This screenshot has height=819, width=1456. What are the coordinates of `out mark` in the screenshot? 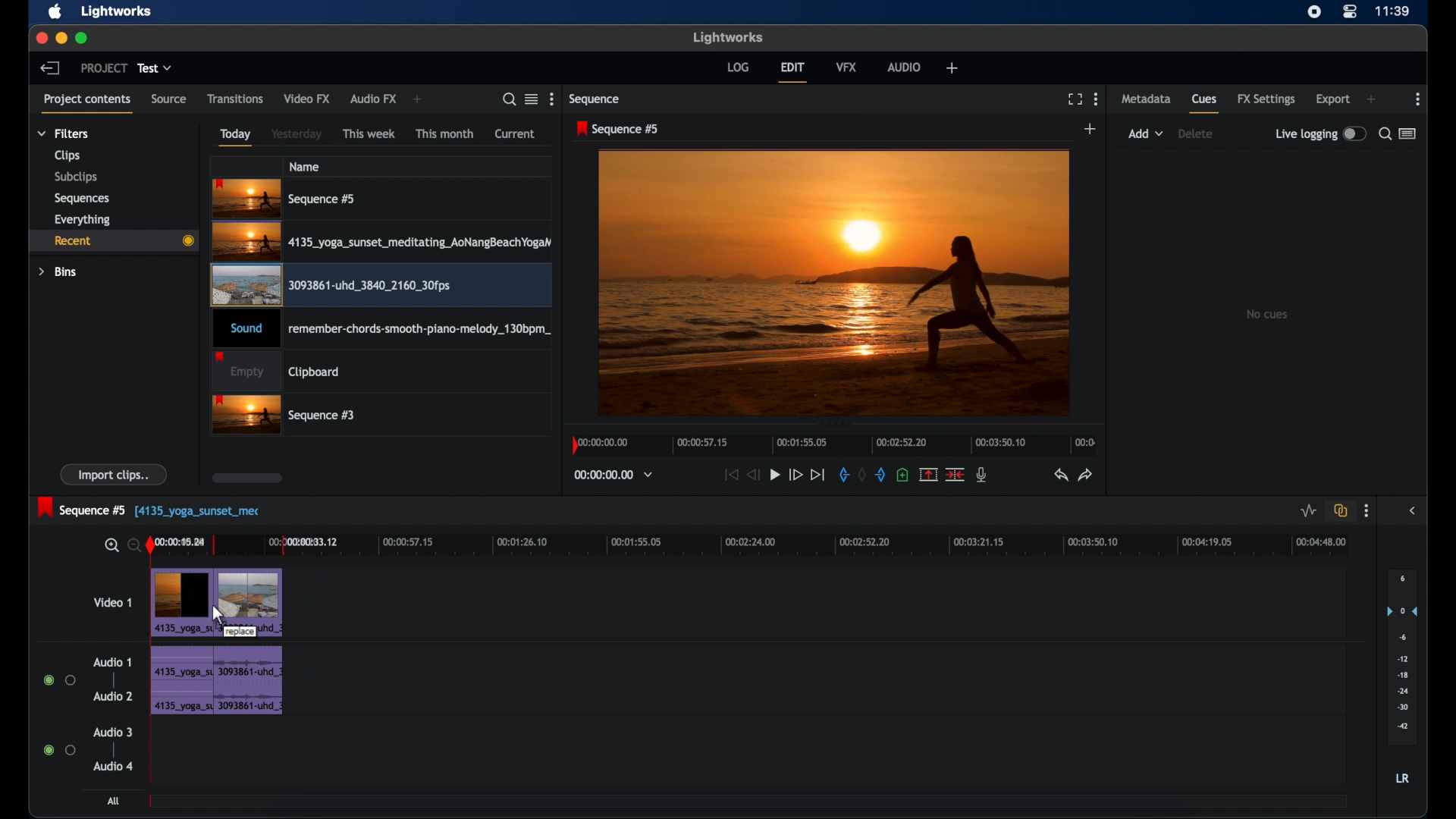 It's located at (883, 475).